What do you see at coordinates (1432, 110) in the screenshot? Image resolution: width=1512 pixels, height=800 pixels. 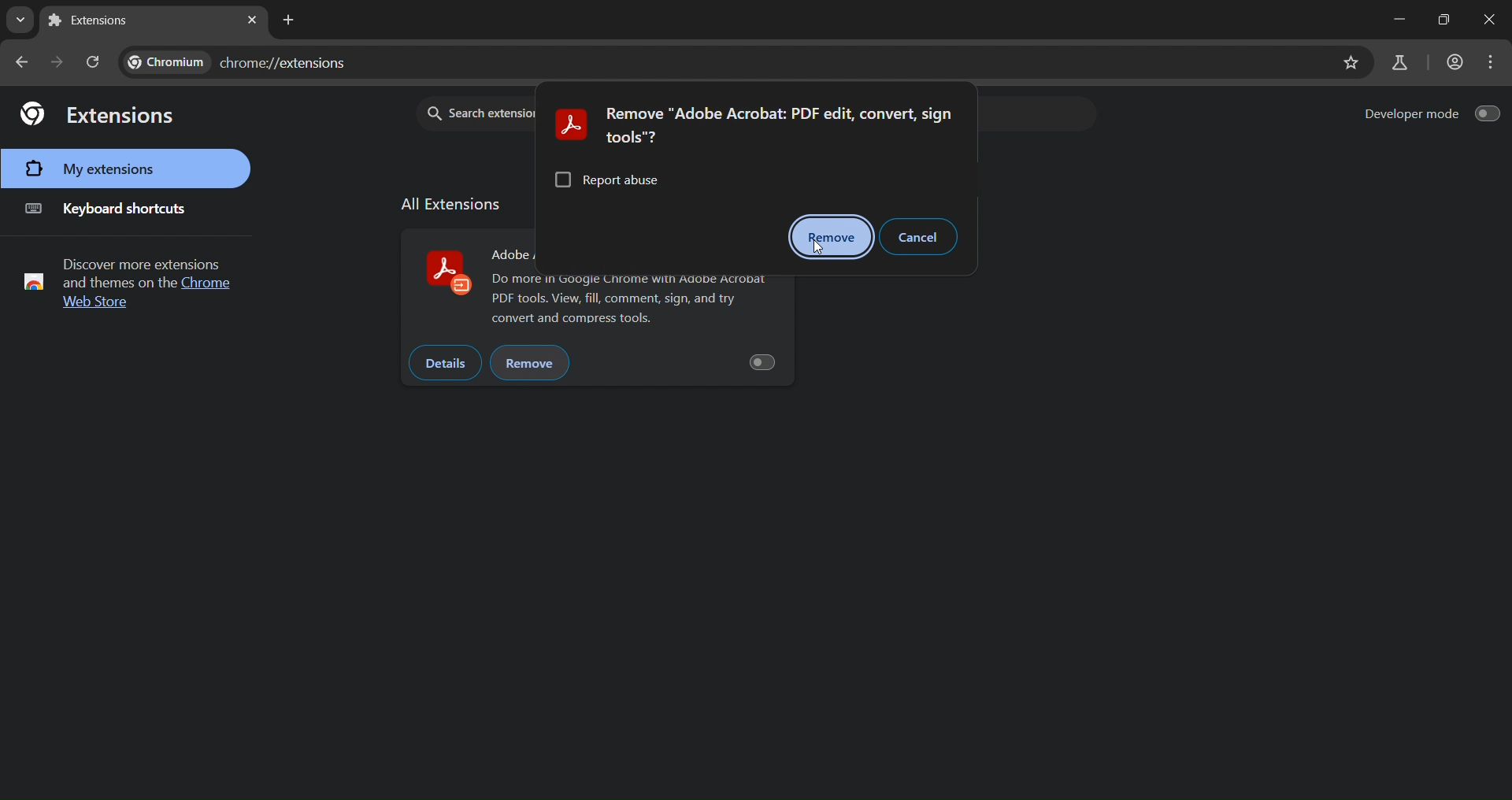 I see `developer mode` at bounding box center [1432, 110].